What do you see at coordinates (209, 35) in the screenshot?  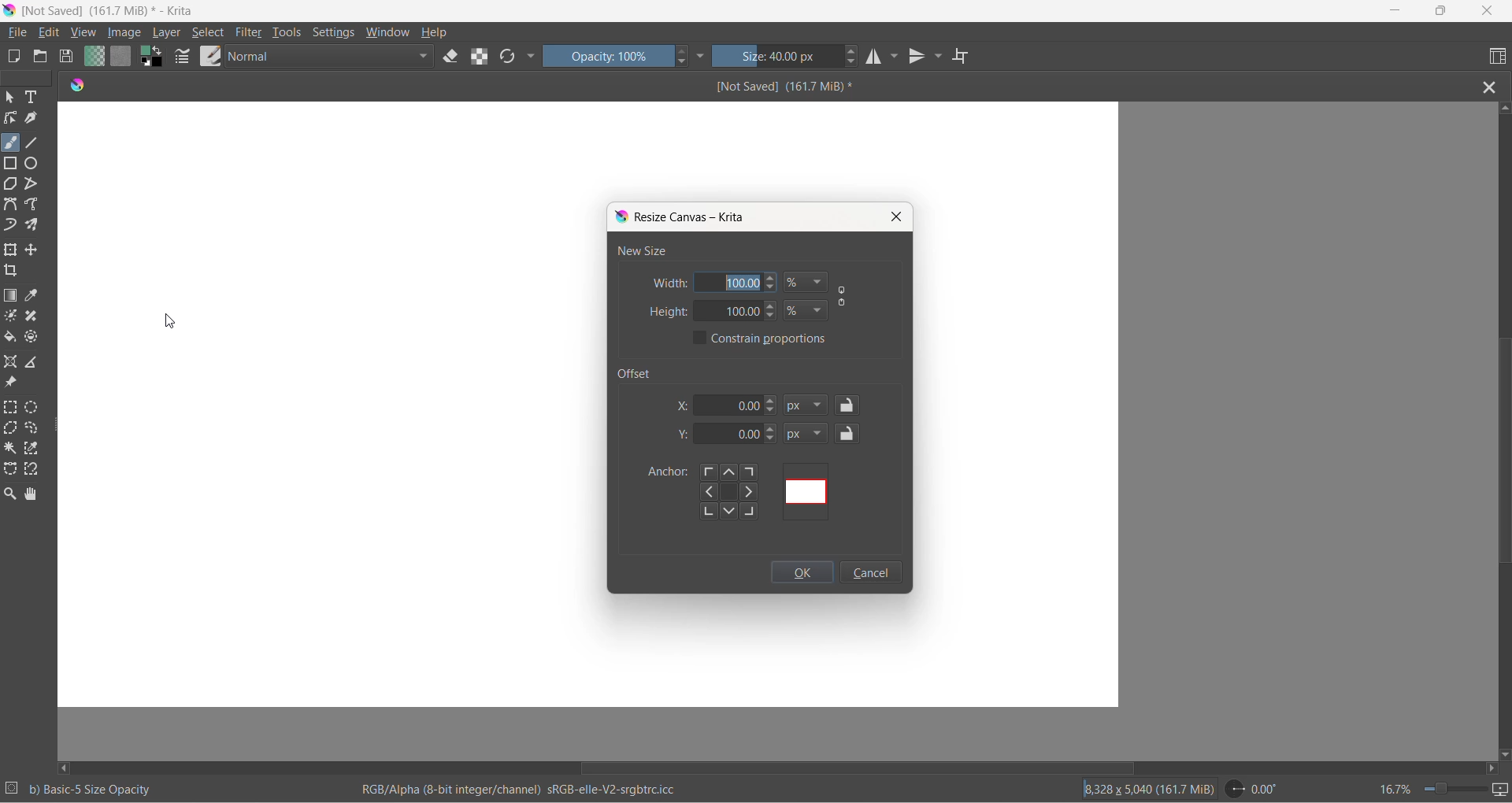 I see `select` at bounding box center [209, 35].